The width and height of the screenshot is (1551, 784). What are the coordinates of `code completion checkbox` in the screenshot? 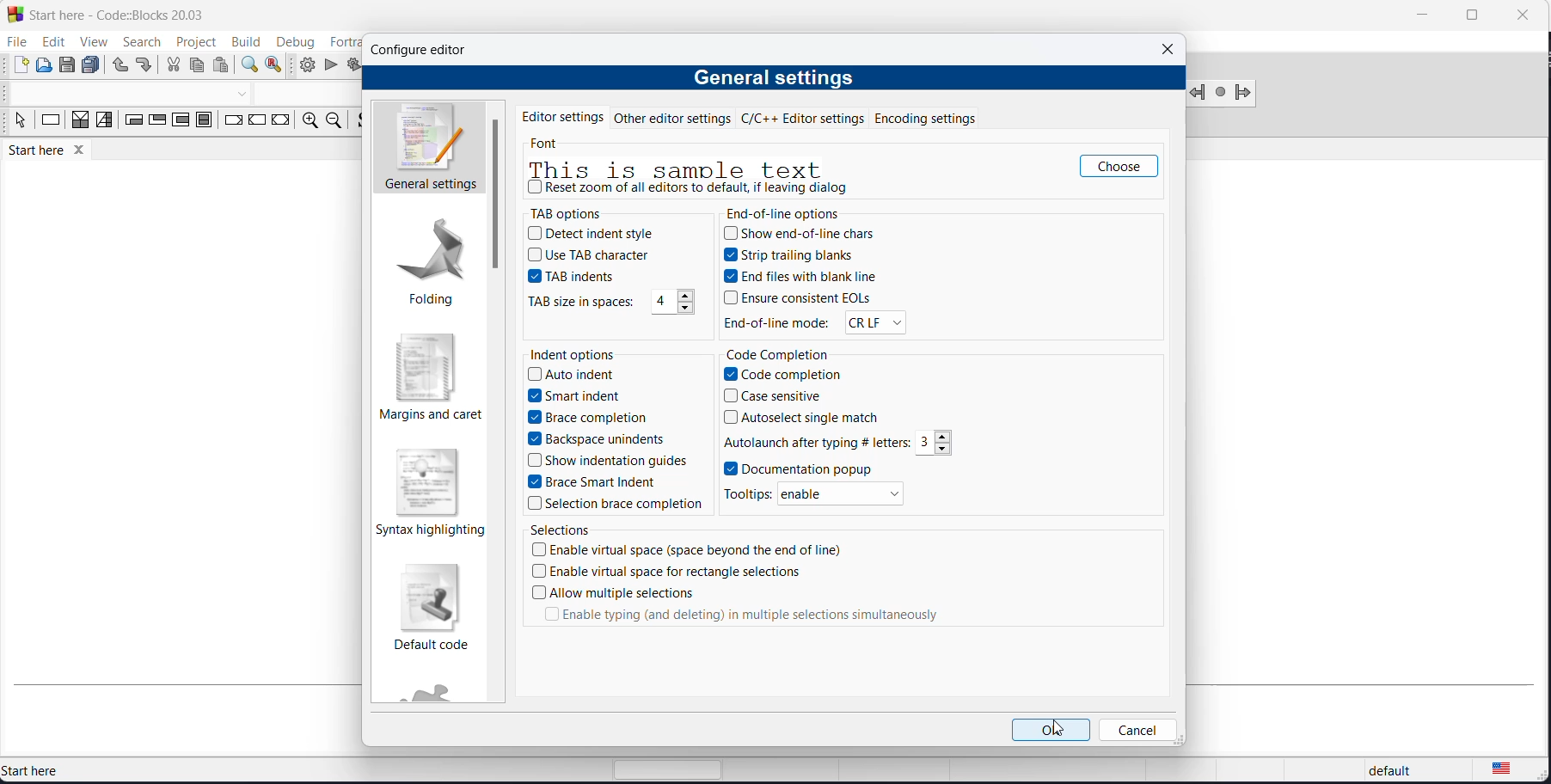 It's located at (792, 375).